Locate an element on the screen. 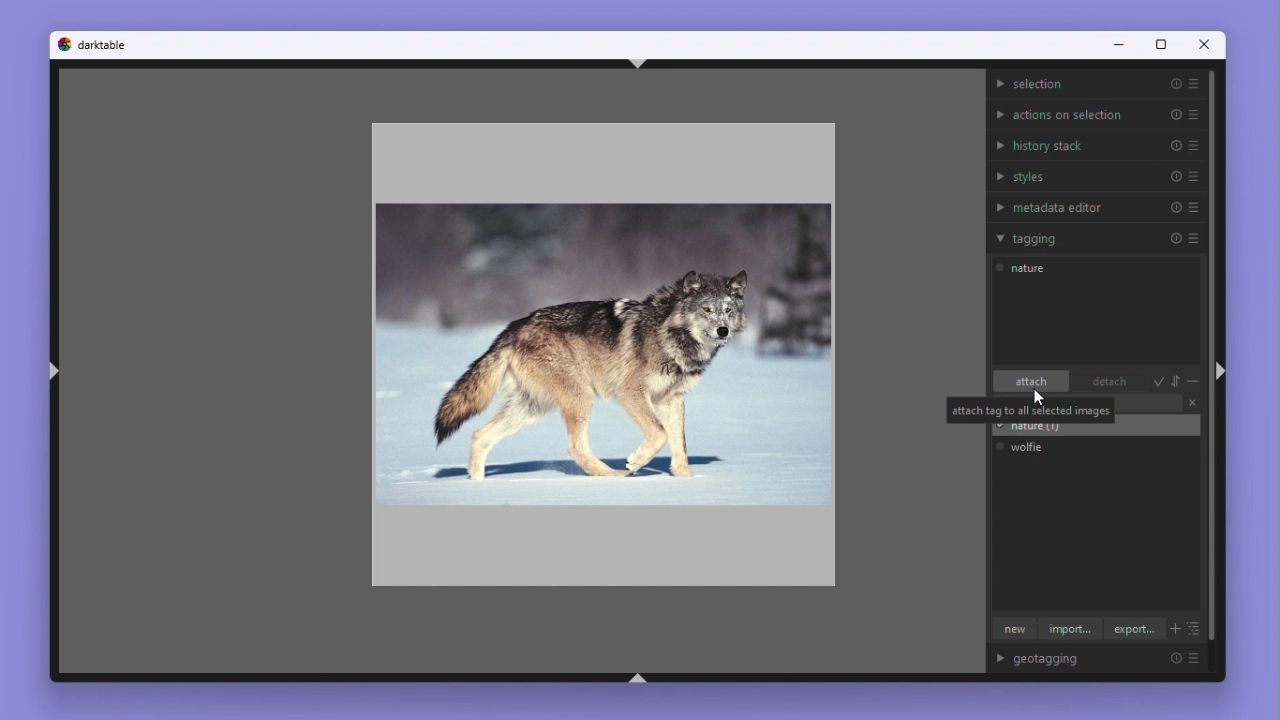  mouse pointer is located at coordinates (1041, 399).